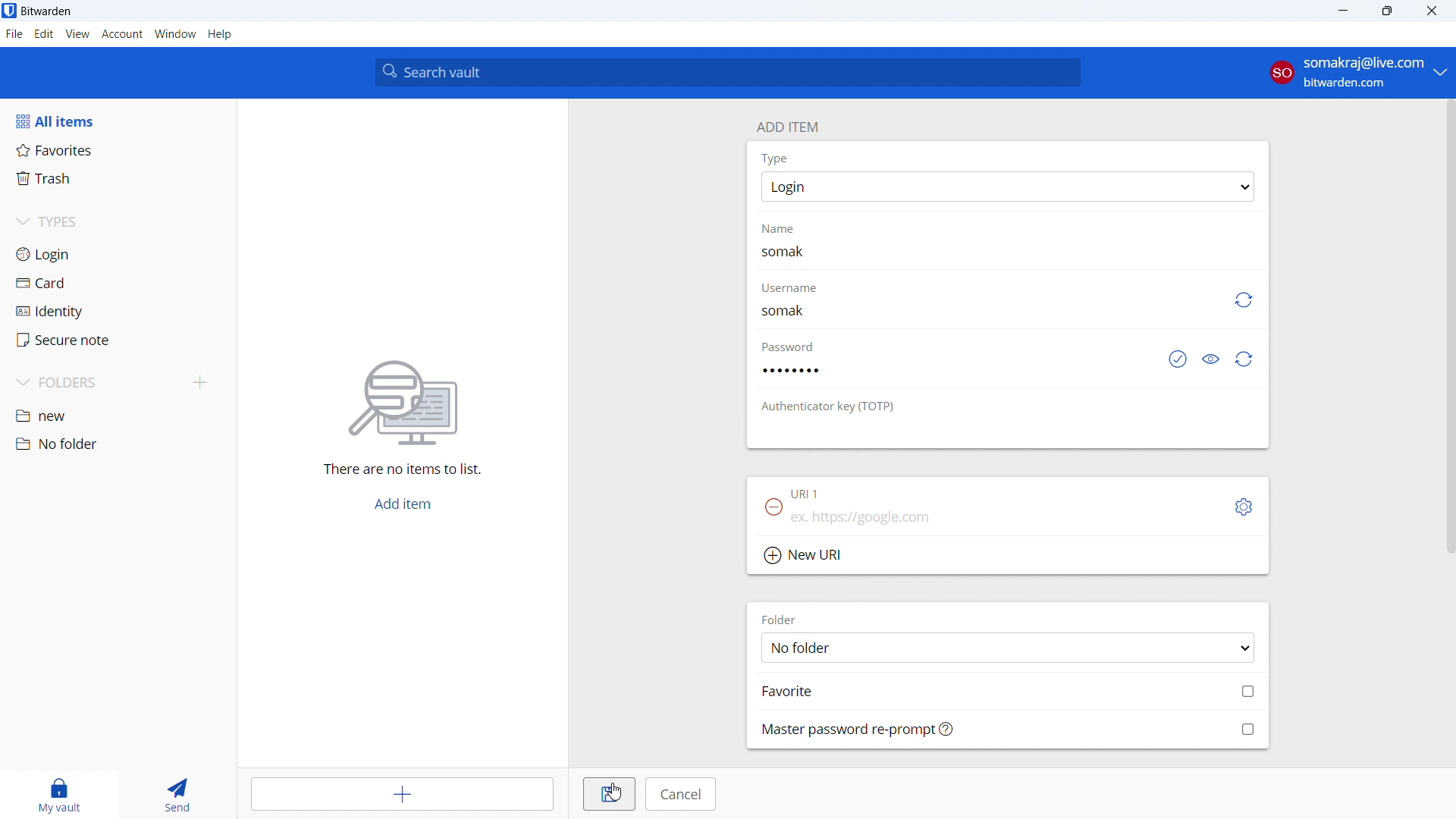 This screenshot has height=819, width=1456. Describe the element at coordinates (1009, 690) in the screenshot. I see `add to favorites` at that location.